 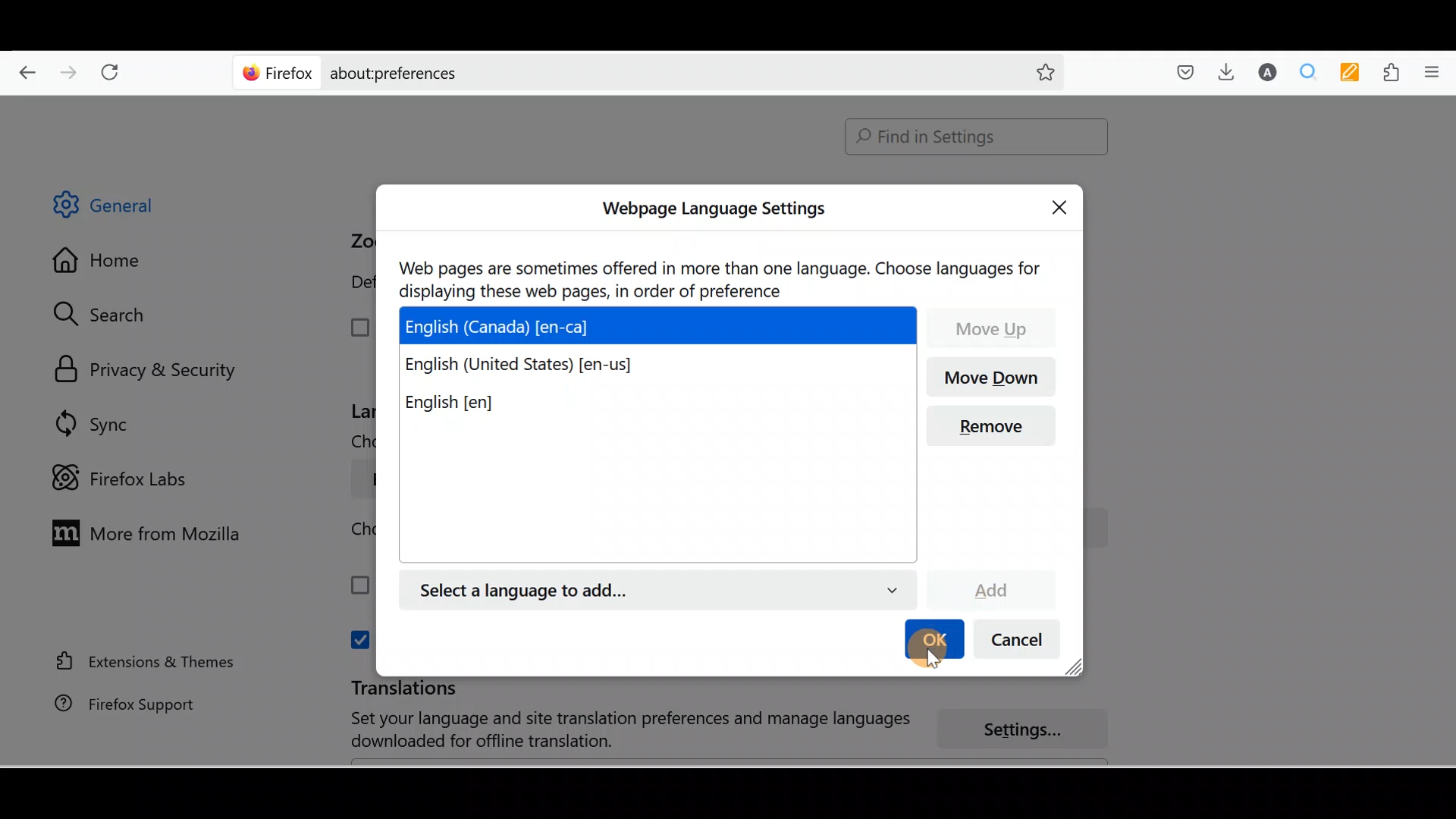 I want to click on Home, so click(x=108, y=264).